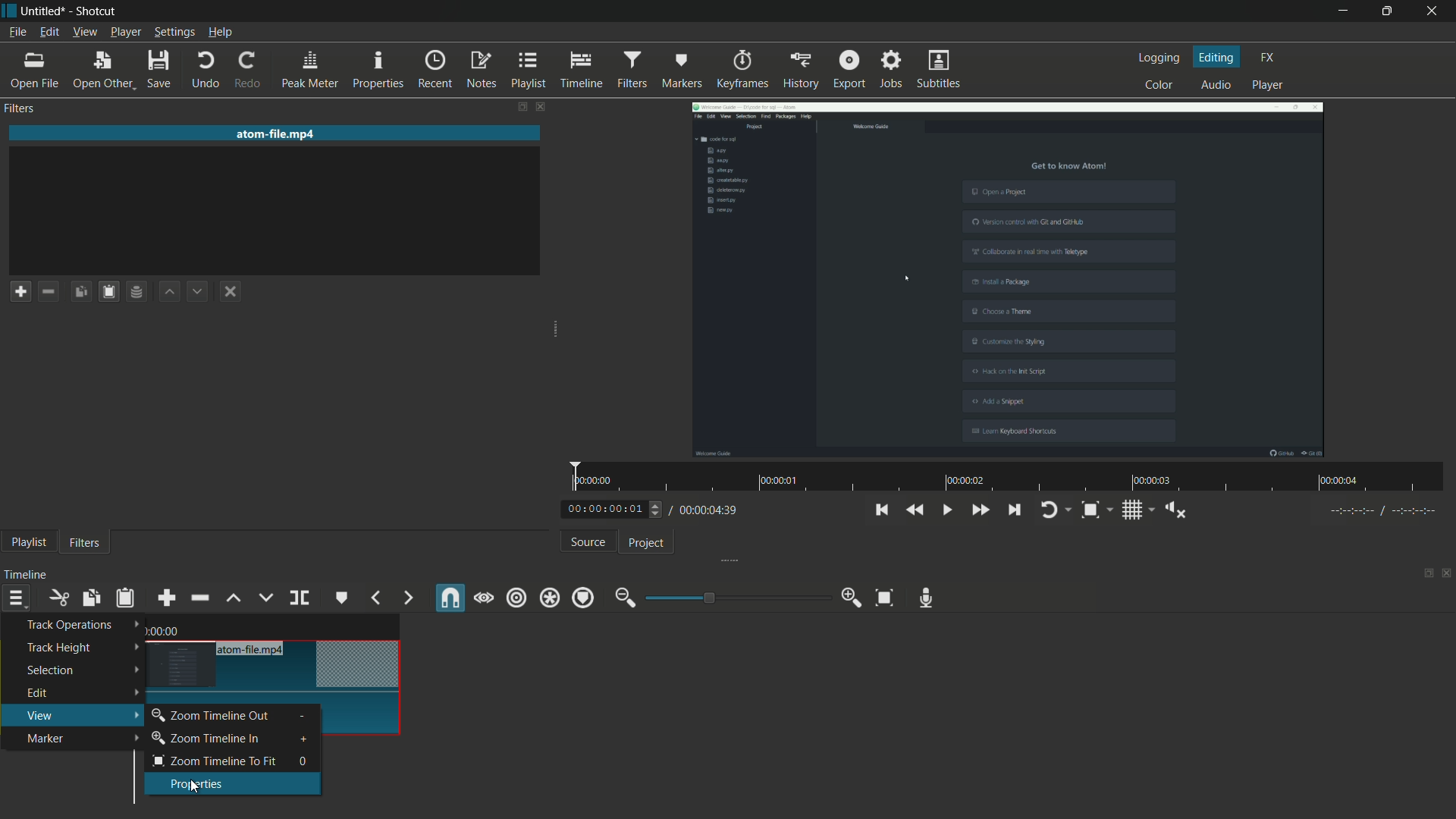 Image resolution: width=1456 pixels, height=819 pixels. What do you see at coordinates (521, 106) in the screenshot?
I see `change layout` at bounding box center [521, 106].